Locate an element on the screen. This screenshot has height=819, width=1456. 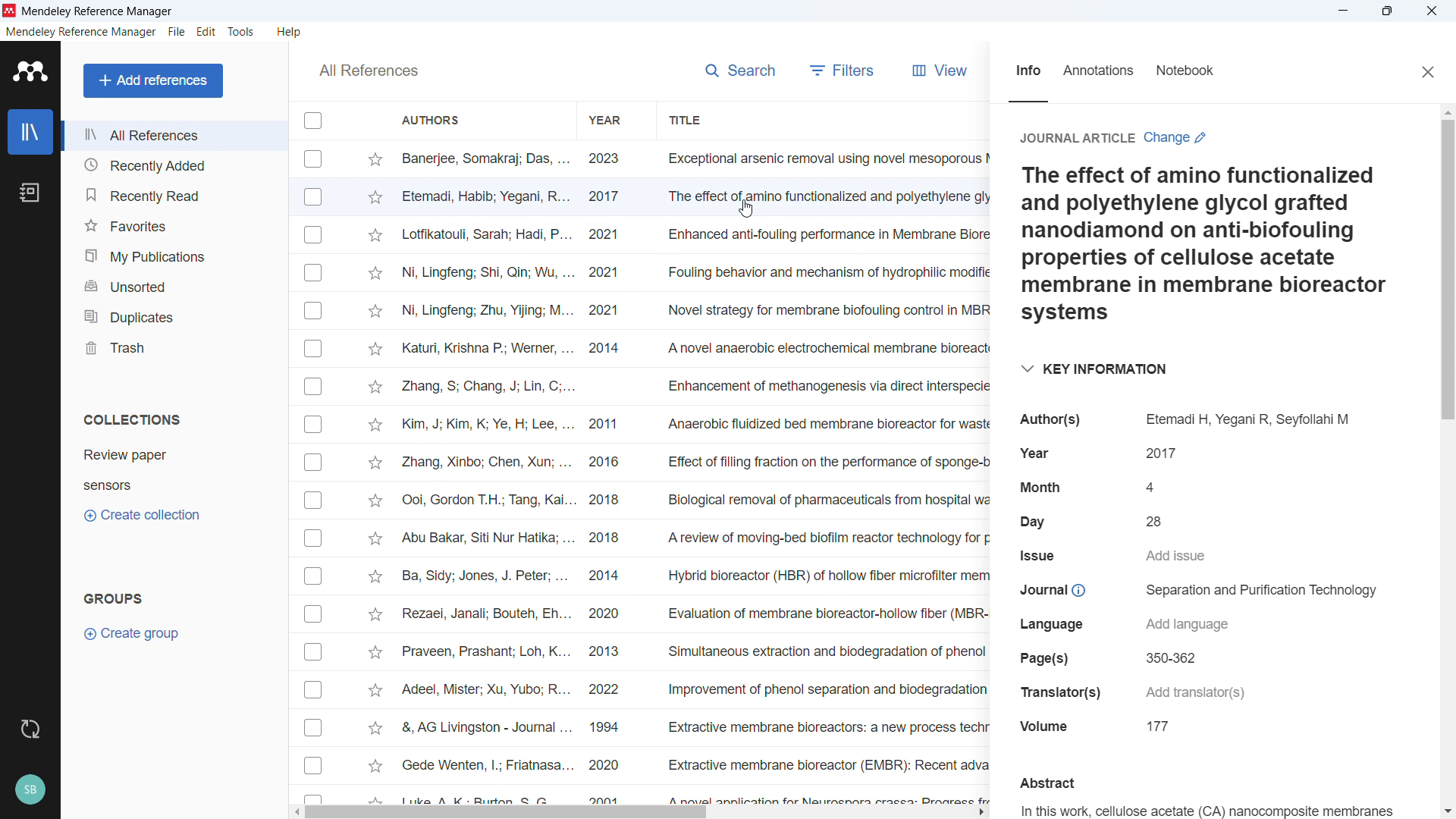
Month  is located at coordinates (1089, 485).